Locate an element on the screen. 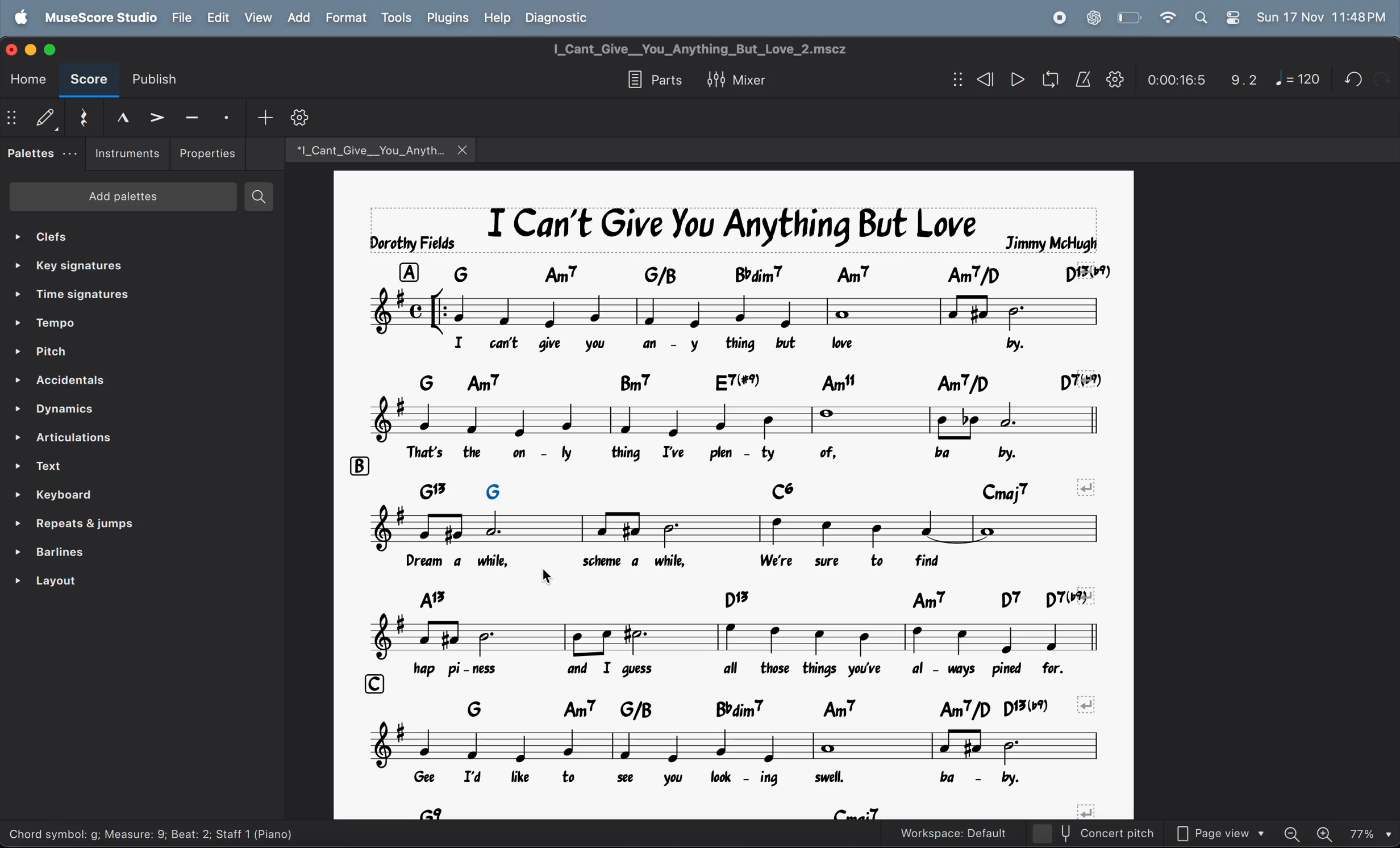 The image size is (1400, 848). parts is located at coordinates (649, 81).